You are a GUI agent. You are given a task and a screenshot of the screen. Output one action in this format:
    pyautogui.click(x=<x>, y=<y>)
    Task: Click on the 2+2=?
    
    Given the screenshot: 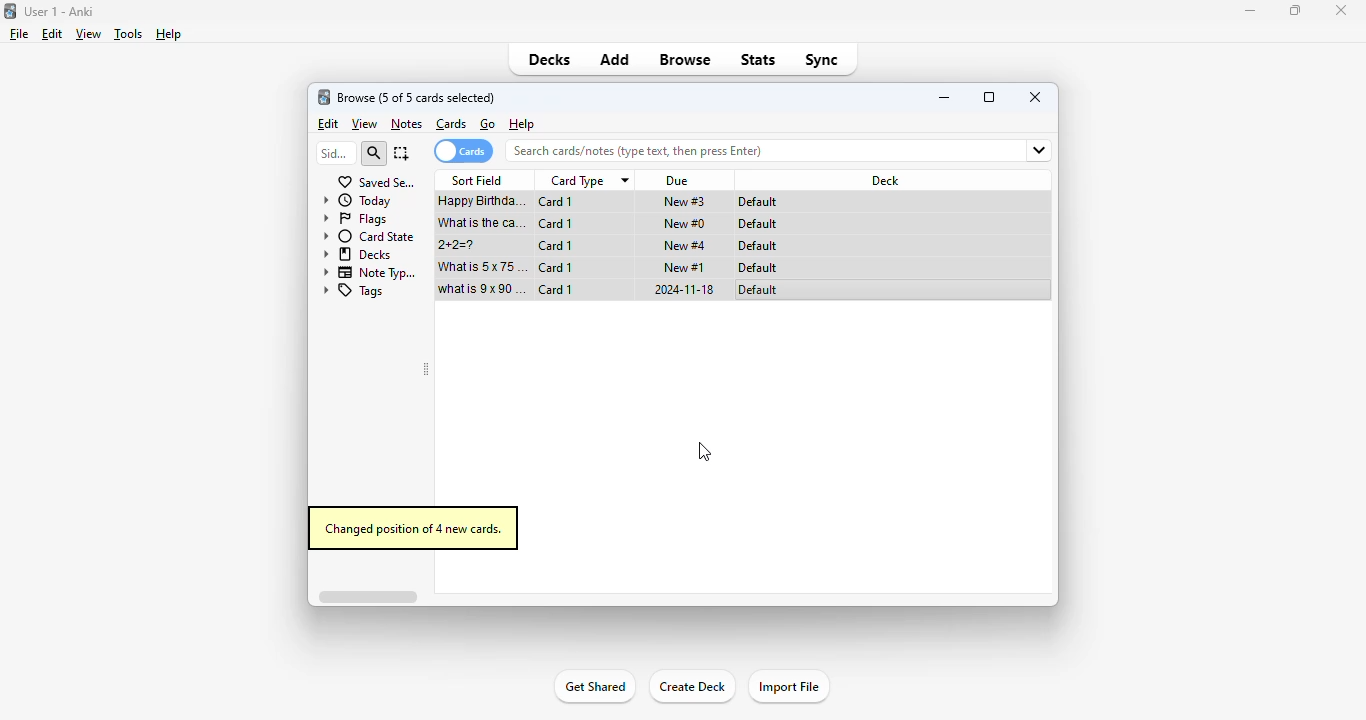 What is the action you would take?
    pyautogui.click(x=459, y=245)
    